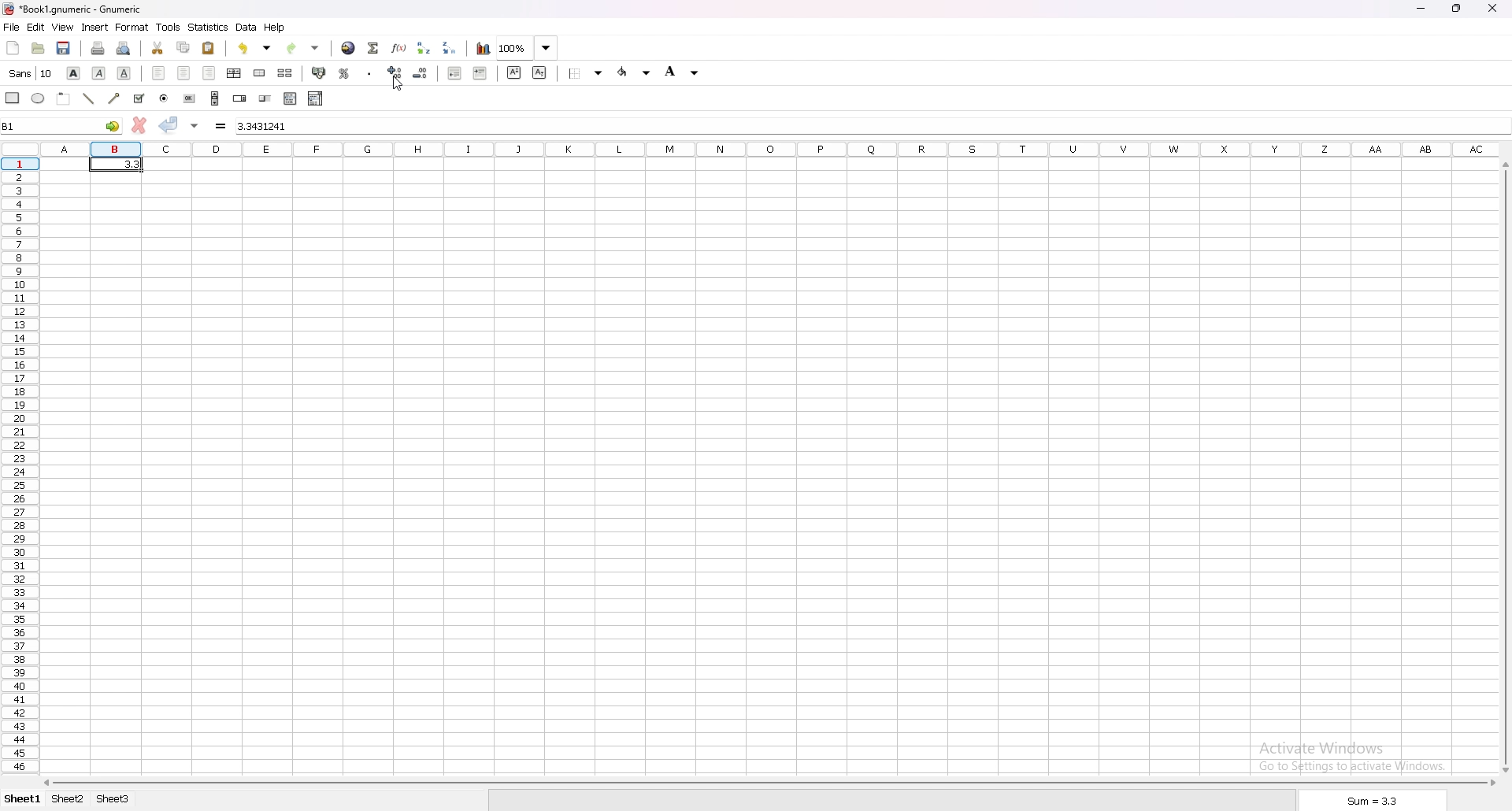  What do you see at coordinates (290, 98) in the screenshot?
I see `list` at bounding box center [290, 98].